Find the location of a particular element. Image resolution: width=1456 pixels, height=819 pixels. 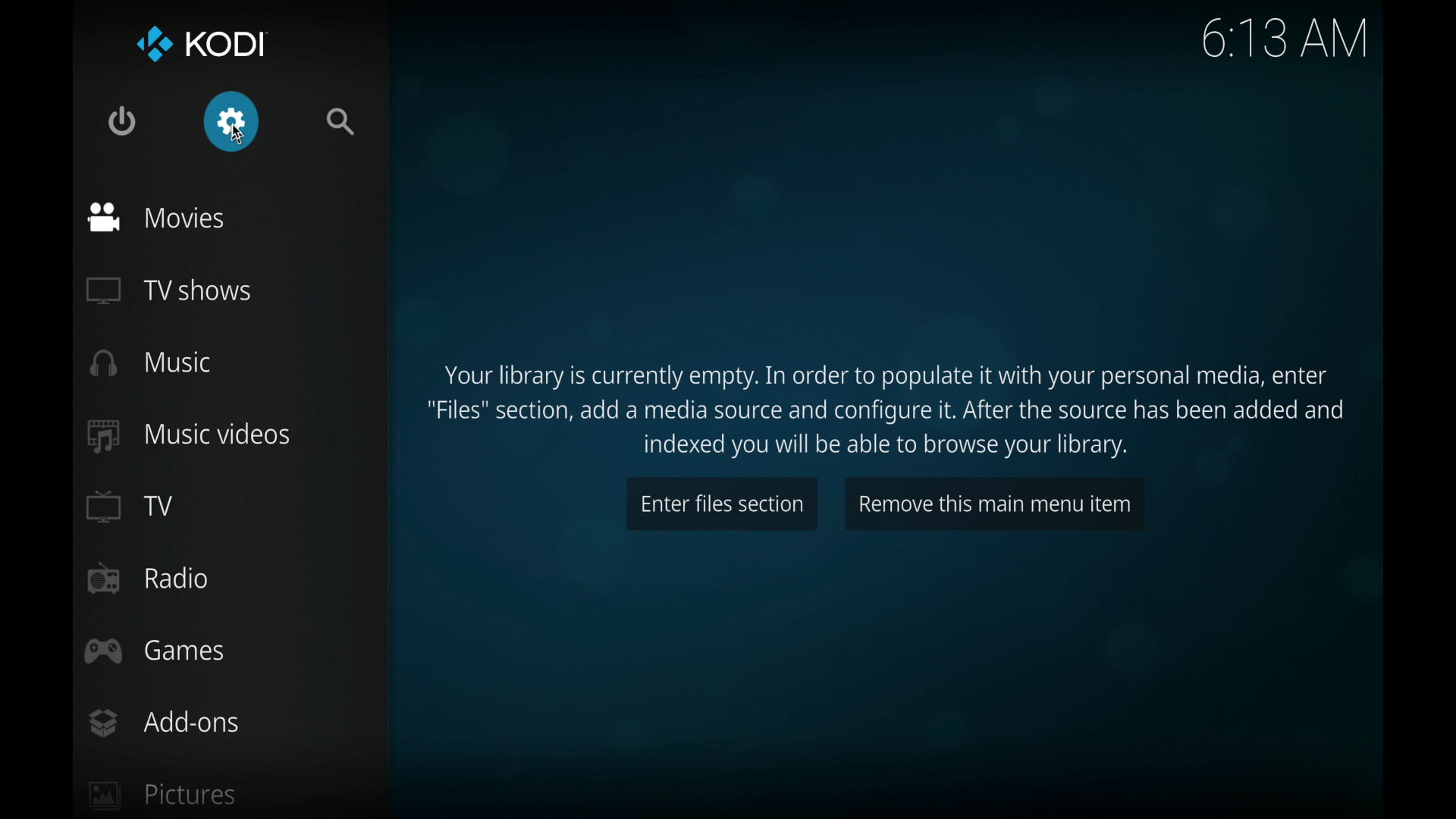

enter files section is located at coordinates (722, 505).